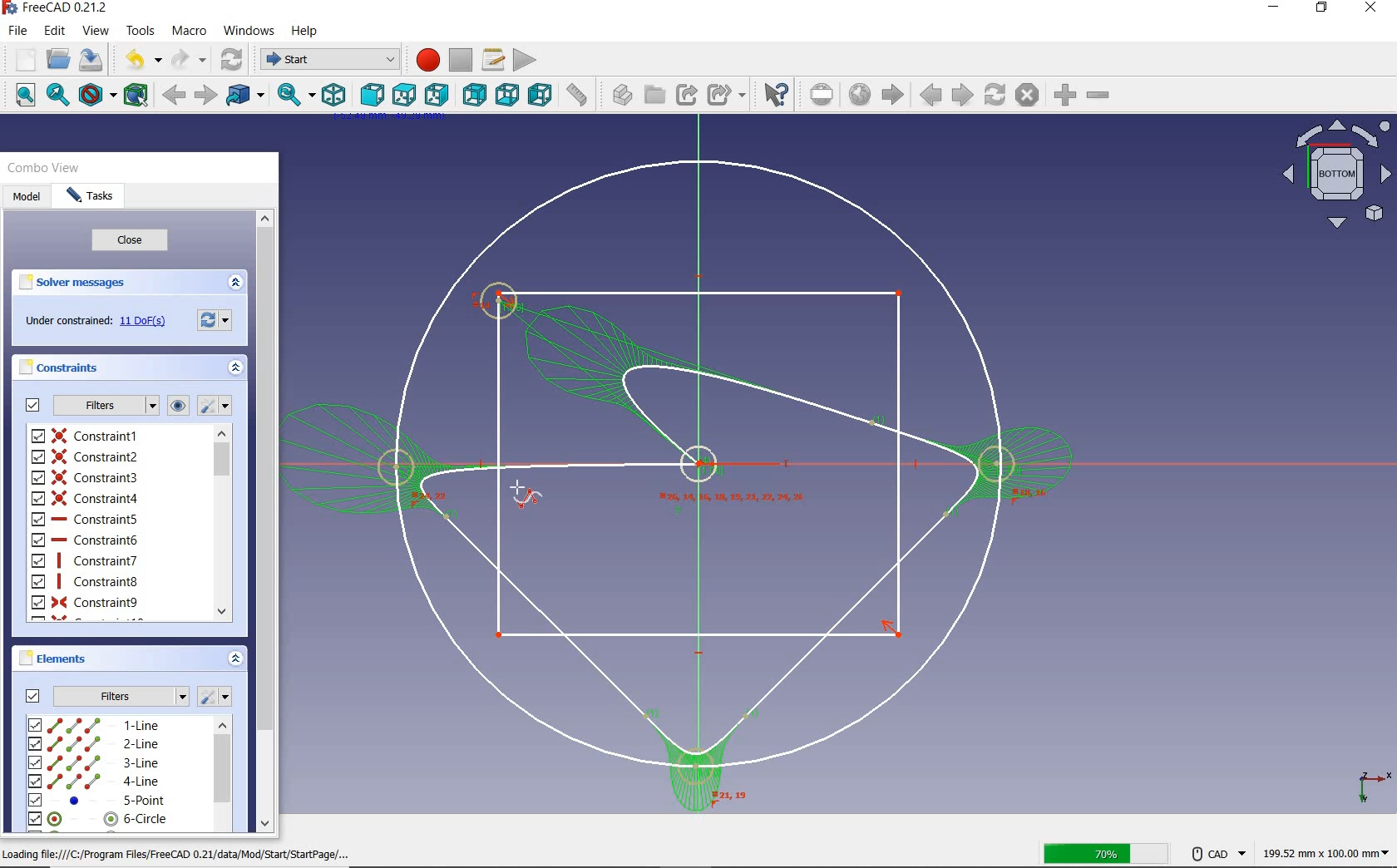 The image size is (1397, 868). I want to click on elements, so click(77, 658).